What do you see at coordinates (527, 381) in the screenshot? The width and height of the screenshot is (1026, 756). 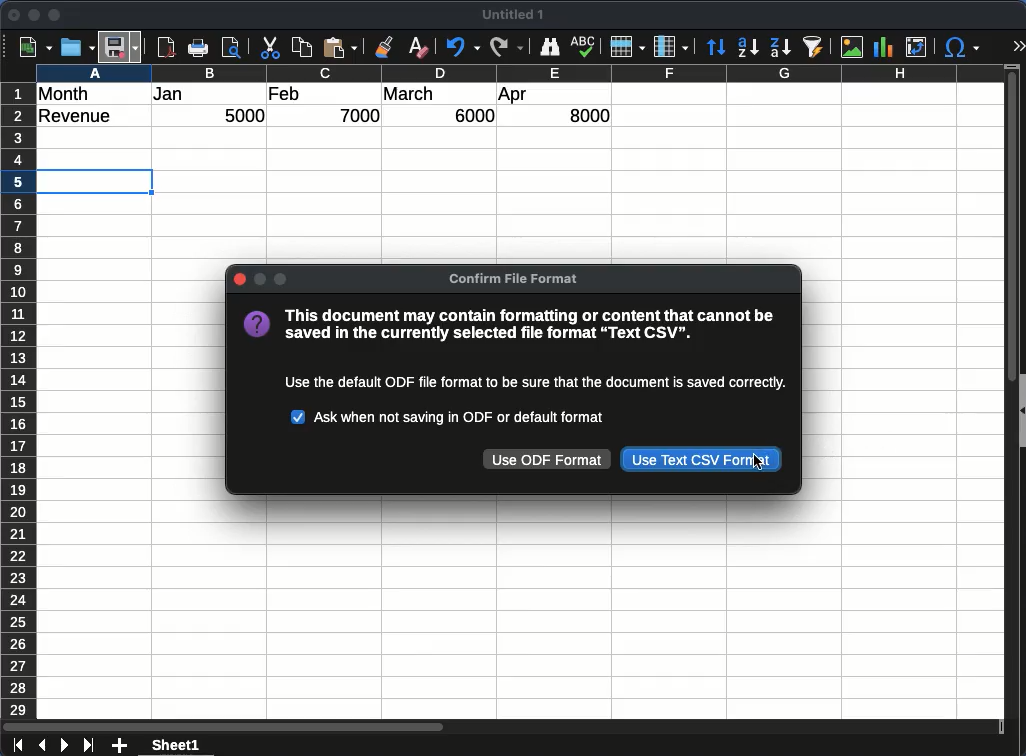 I see `Use the default ODF file format to be sure that the document is saved correctly.` at bounding box center [527, 381].